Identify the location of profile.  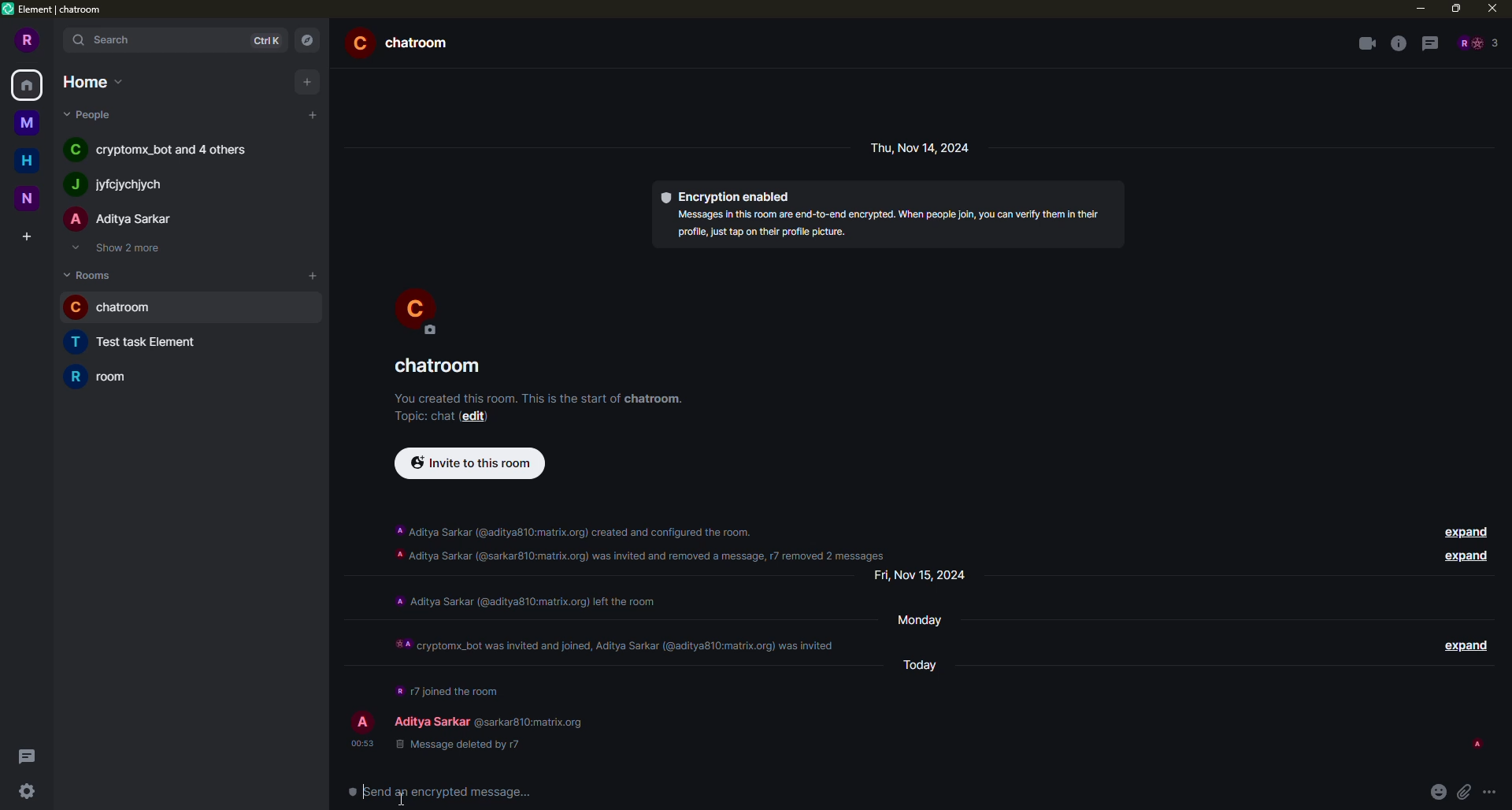
(361, 722).